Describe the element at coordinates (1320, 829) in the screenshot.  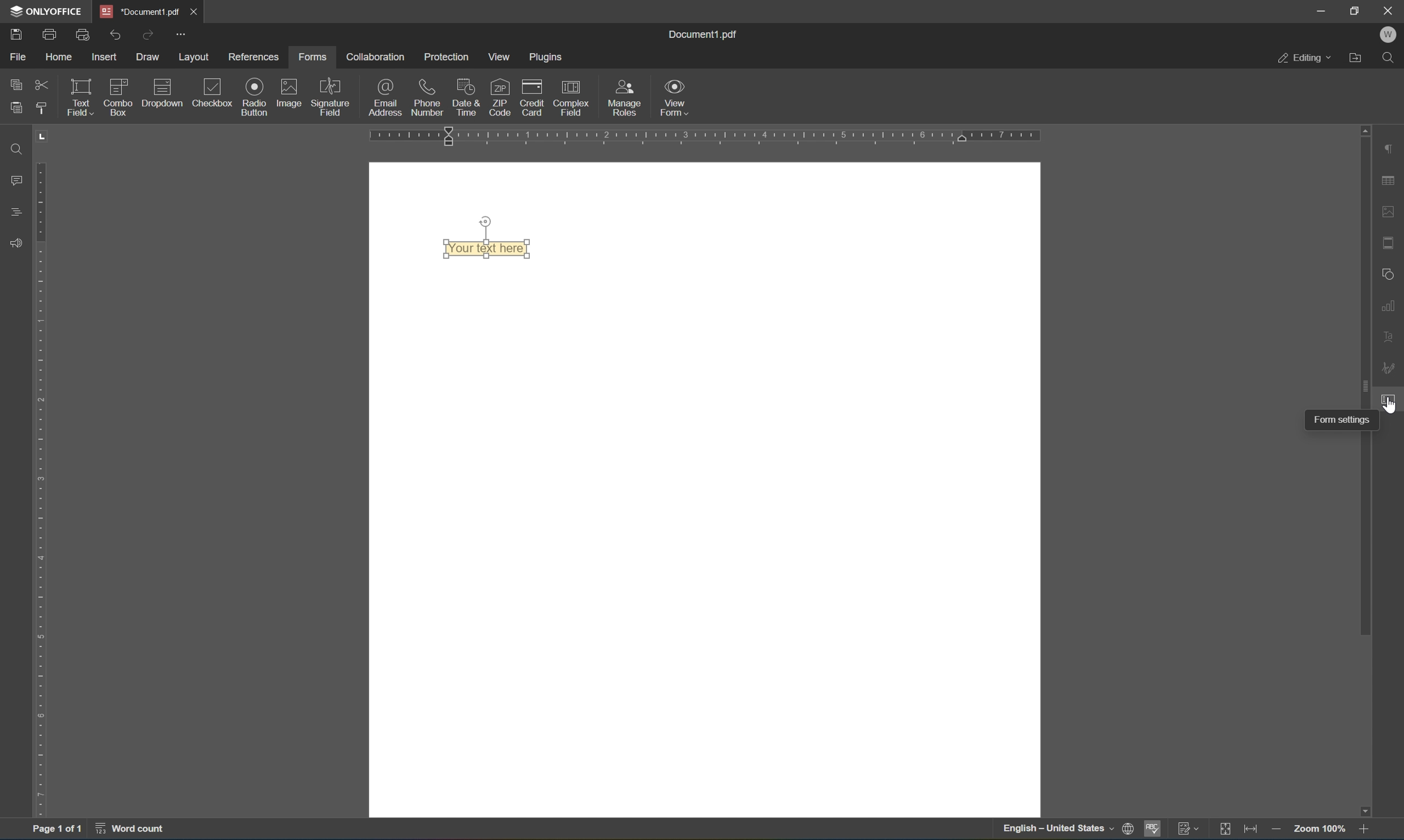
I see `zoom 100%` at that location.